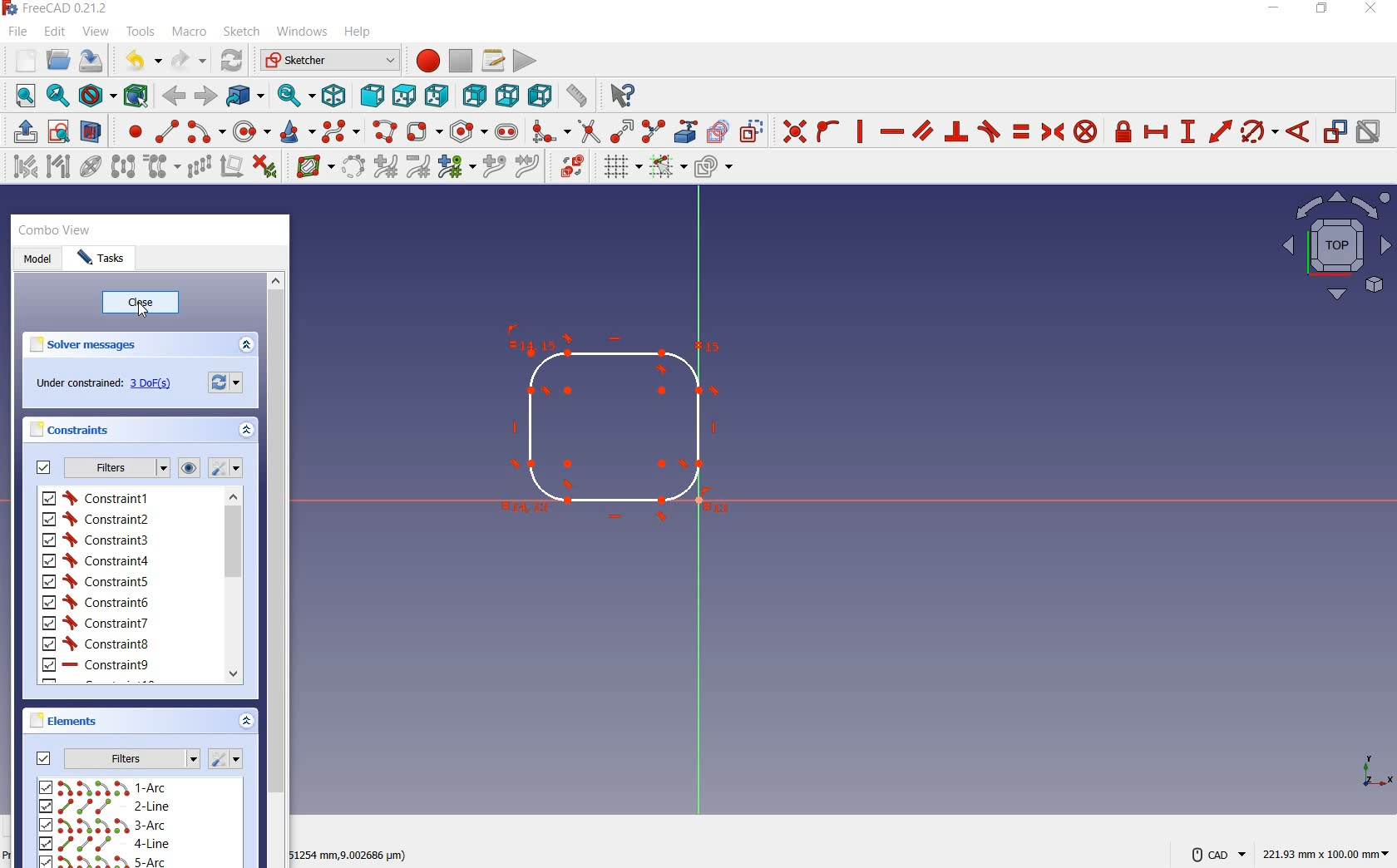  Describe the element at coordinates (22, 168) in the screenshot. I see `select associated constraints` at that location.